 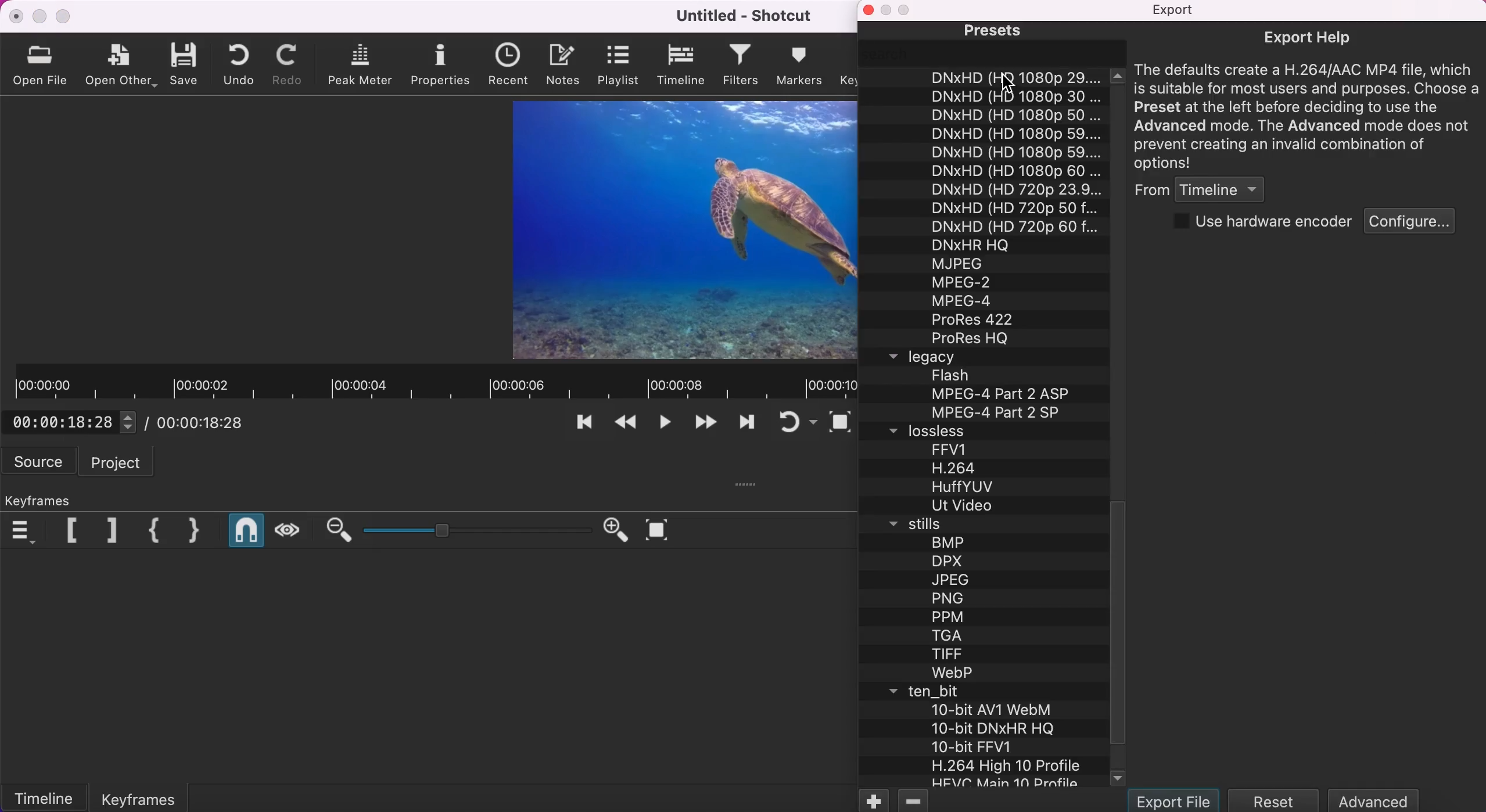 I want to click on advanced, so click(x=1374, y=800).